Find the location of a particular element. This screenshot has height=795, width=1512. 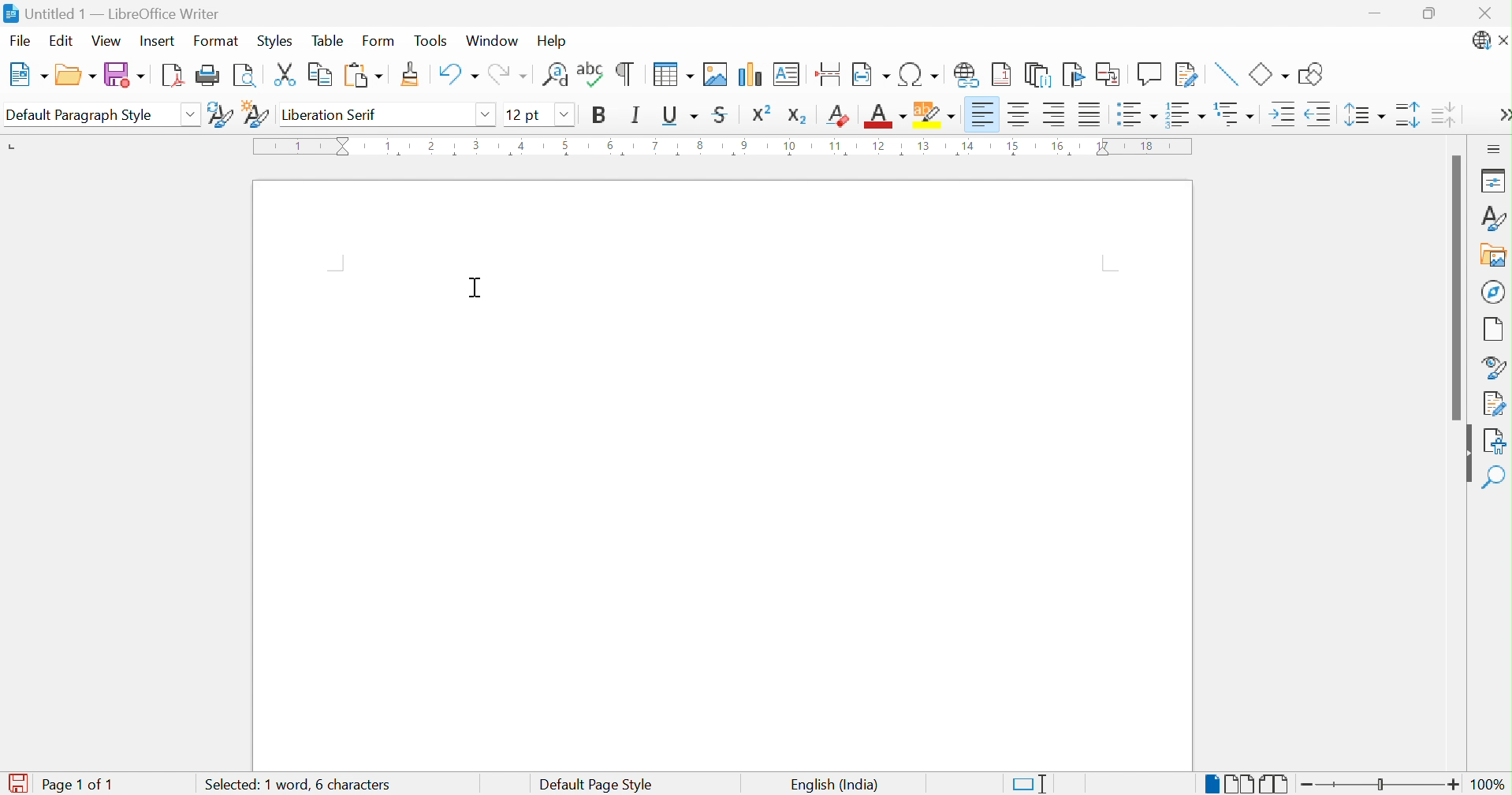

English (India) is located at coordinates (833, 784).